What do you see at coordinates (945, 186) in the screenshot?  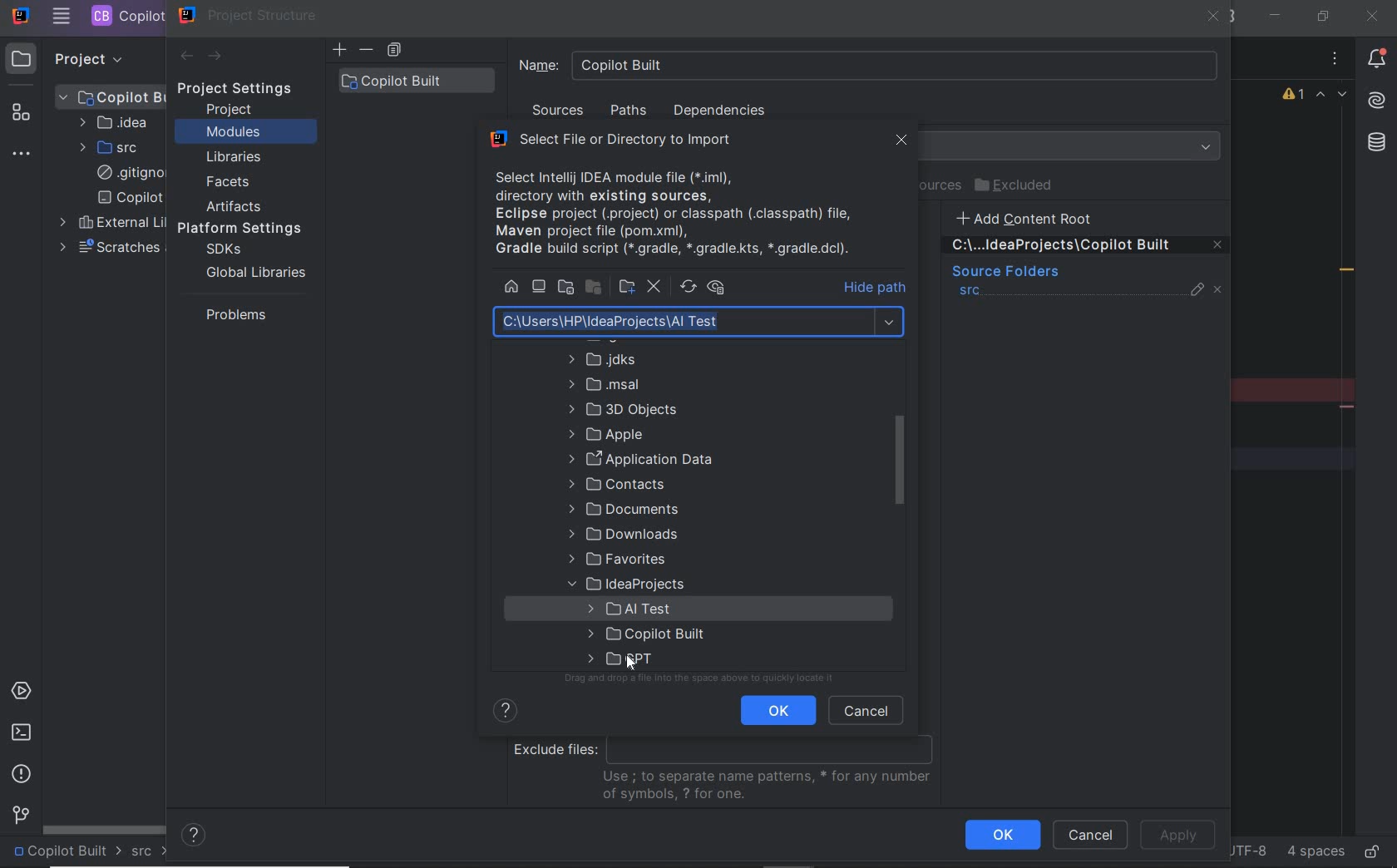 I see `test resources` at bounding box center [945, 186].